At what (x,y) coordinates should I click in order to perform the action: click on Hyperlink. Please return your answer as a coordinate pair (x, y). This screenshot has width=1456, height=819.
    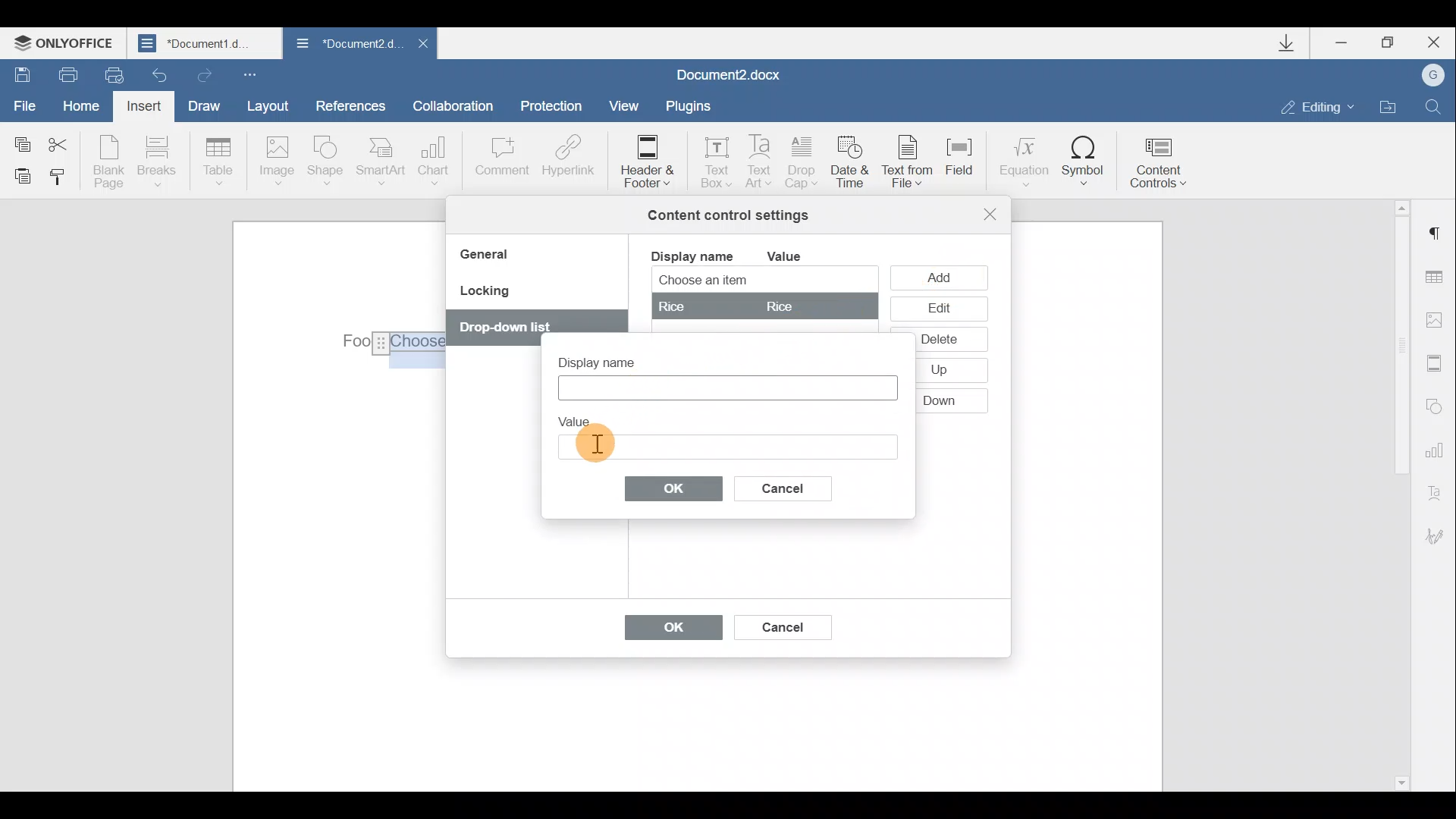
    Looking at the image, I should click on (565, 158).